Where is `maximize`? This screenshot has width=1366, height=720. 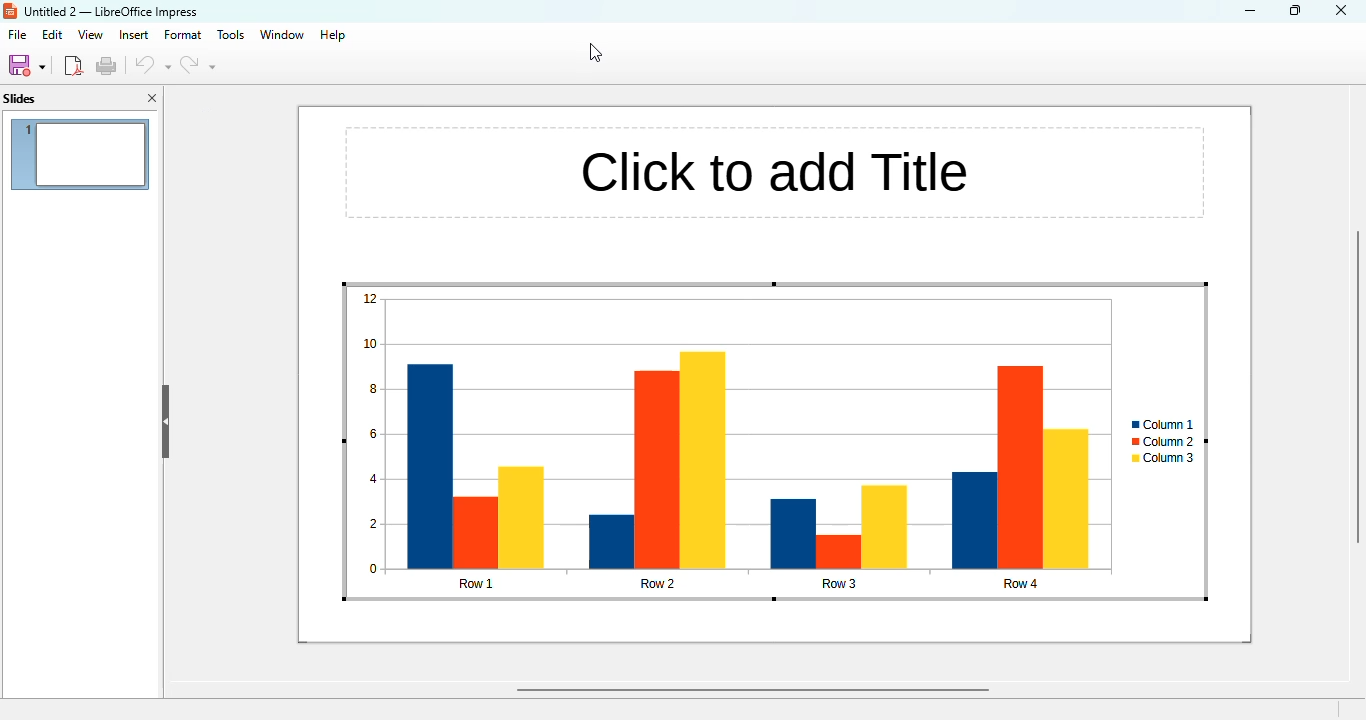 maximize is located at coordinates (1295, 10).